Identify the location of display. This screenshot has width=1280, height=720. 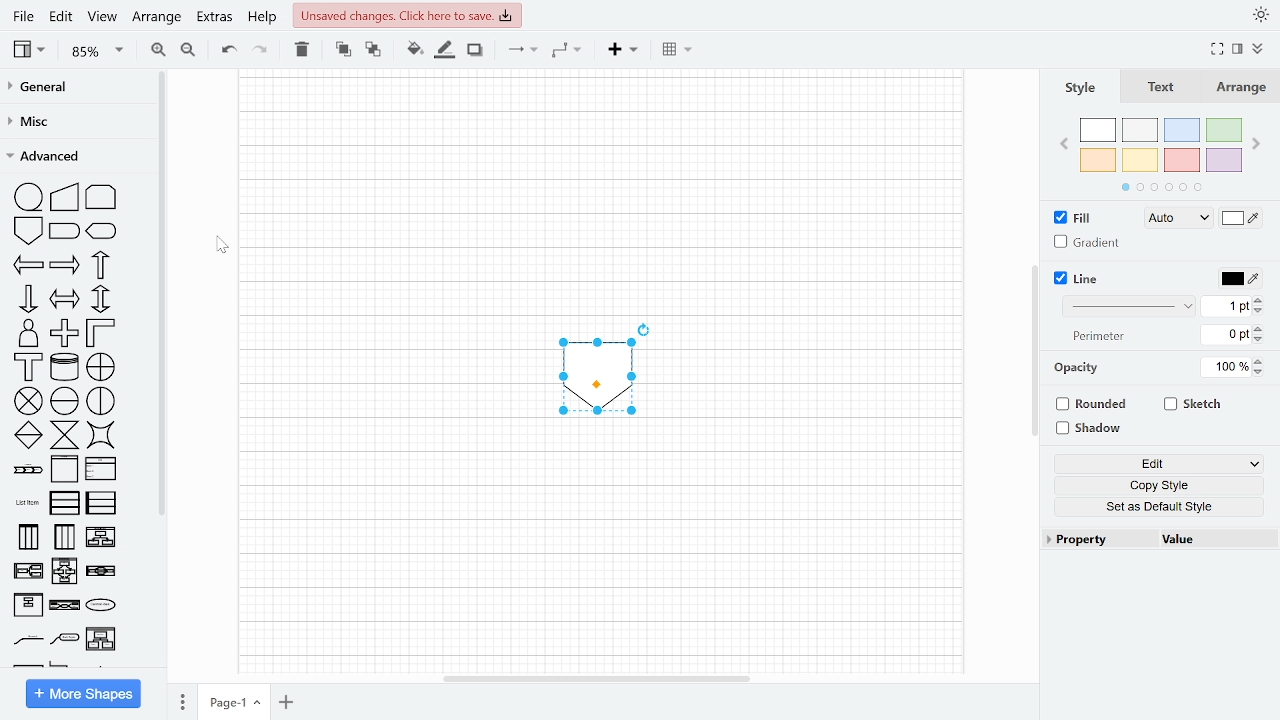
(102, 232).